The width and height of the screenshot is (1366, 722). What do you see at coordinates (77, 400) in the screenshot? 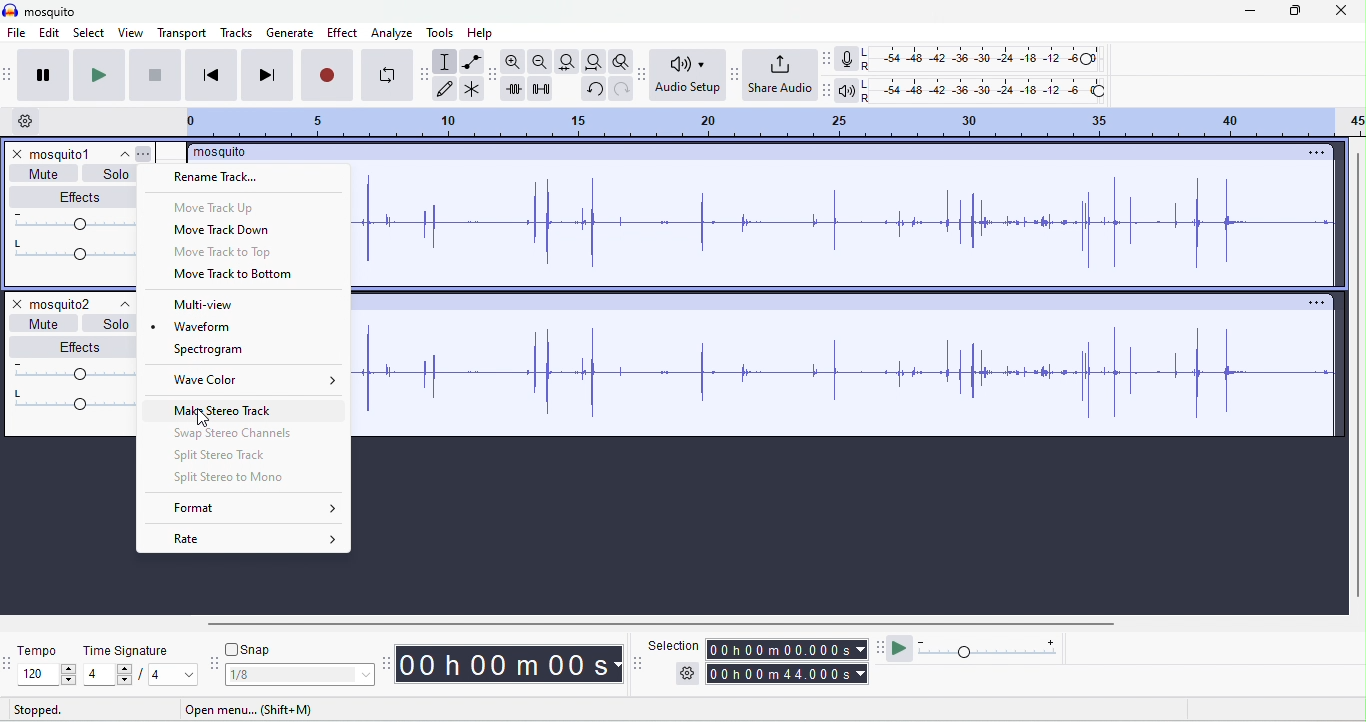
I see `pan` at bounding box center [77, 400].